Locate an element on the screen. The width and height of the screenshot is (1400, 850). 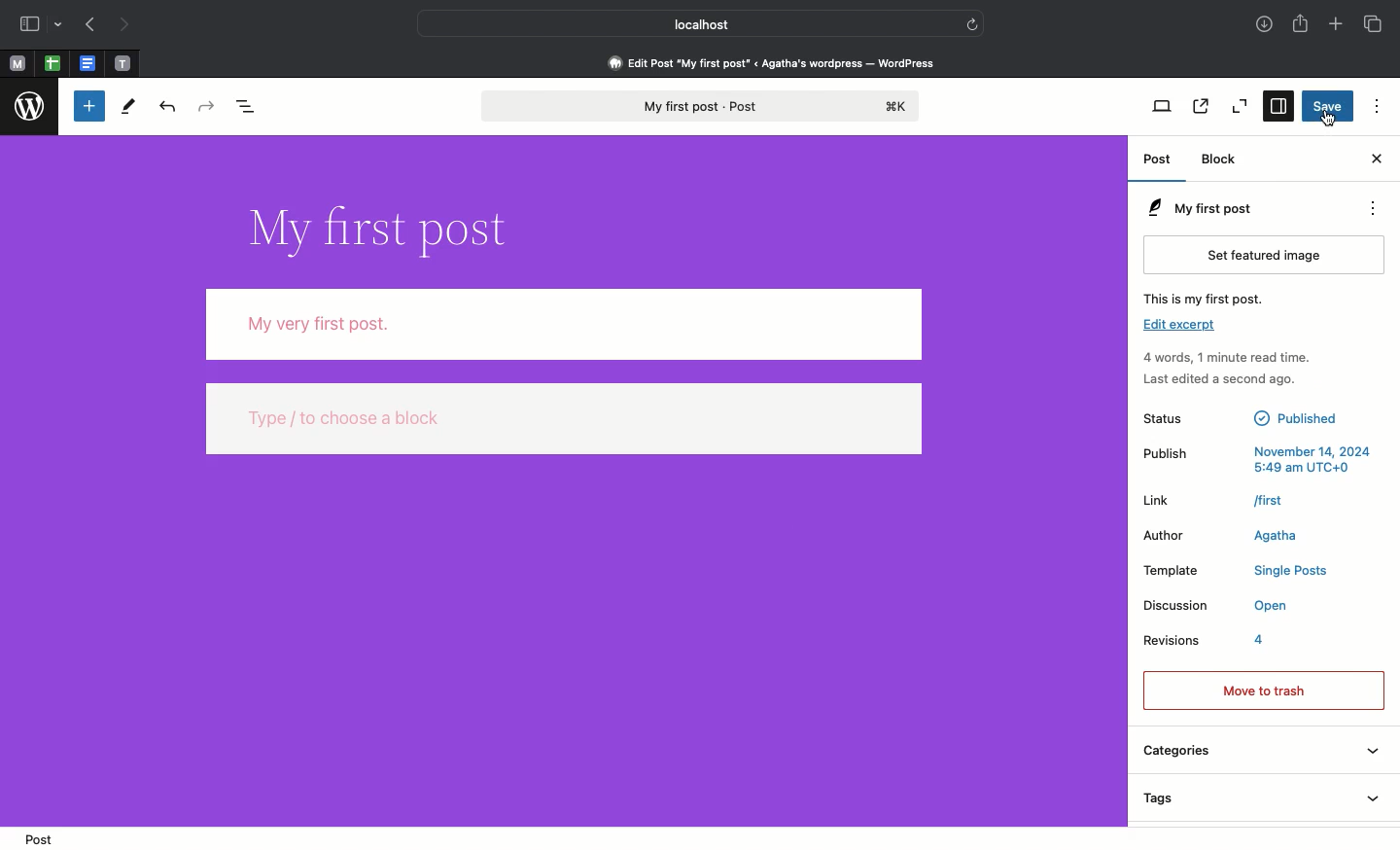
word document tab is located at coordinates (85, 62).